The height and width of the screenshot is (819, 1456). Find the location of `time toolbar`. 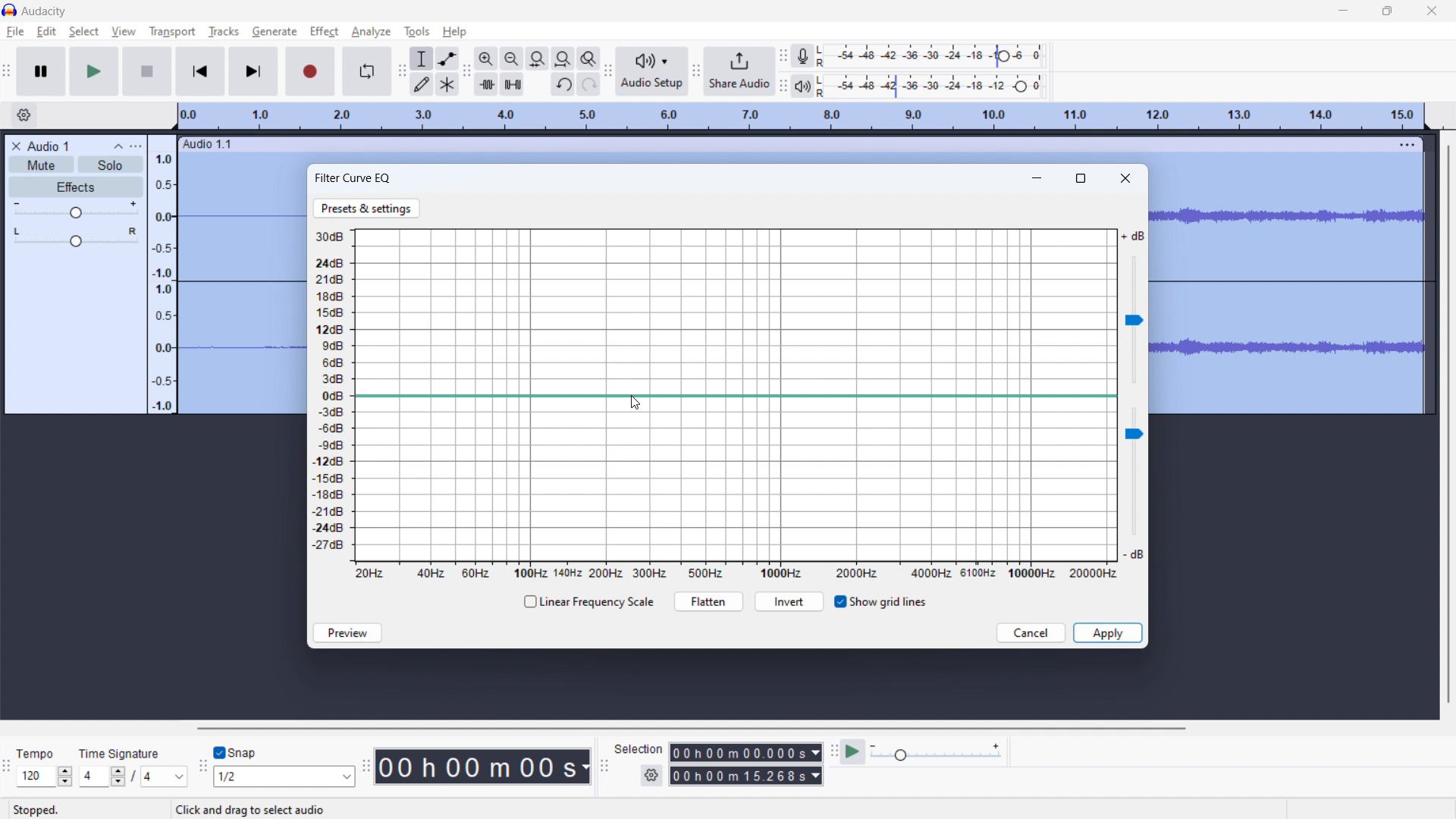

time toolbar is located at coordinates (369, 773).